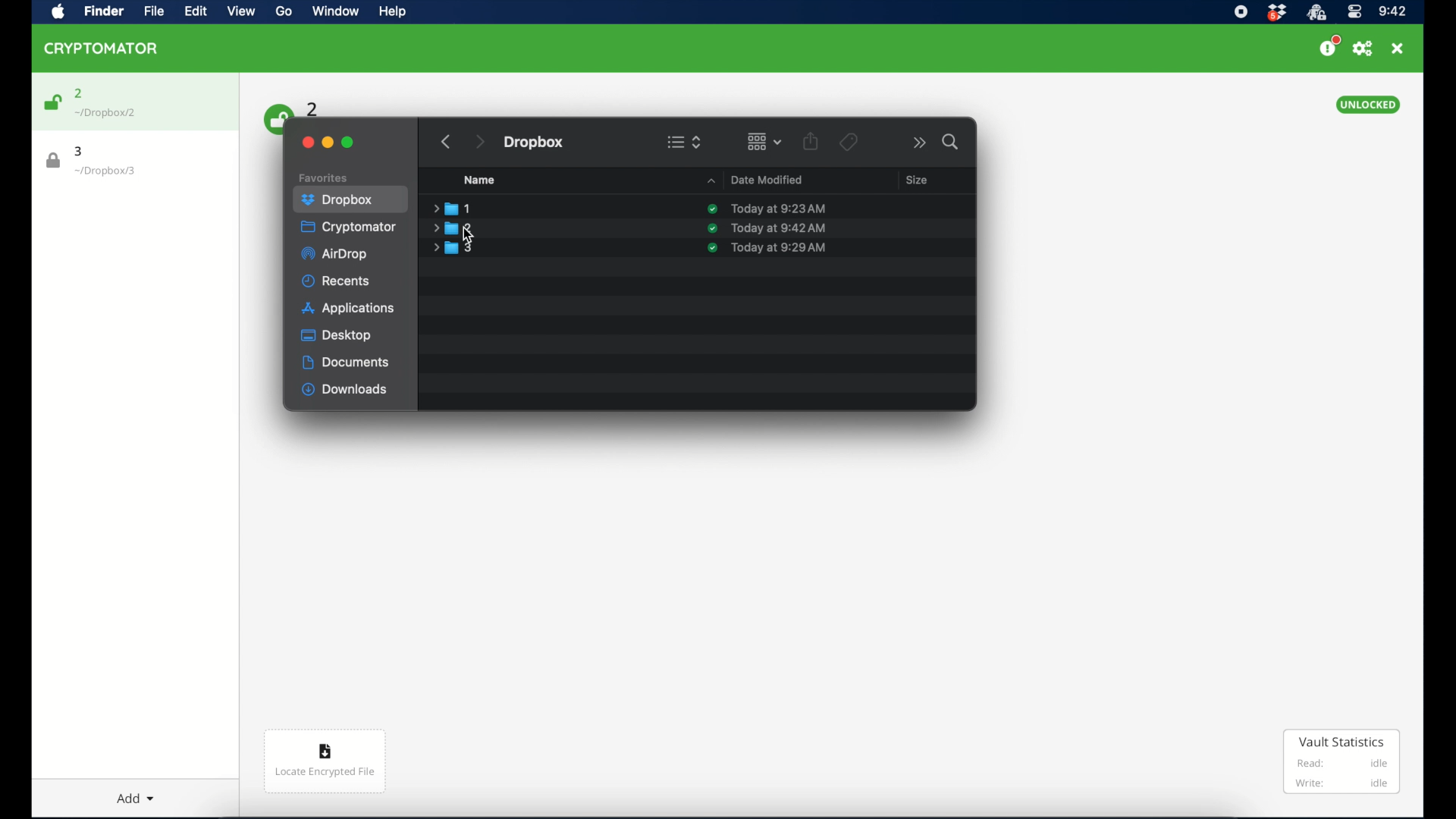  What do you see at coordinates (765, 141) in the screenshot?
I see `change item grouping` at bounding box center [765, 141].